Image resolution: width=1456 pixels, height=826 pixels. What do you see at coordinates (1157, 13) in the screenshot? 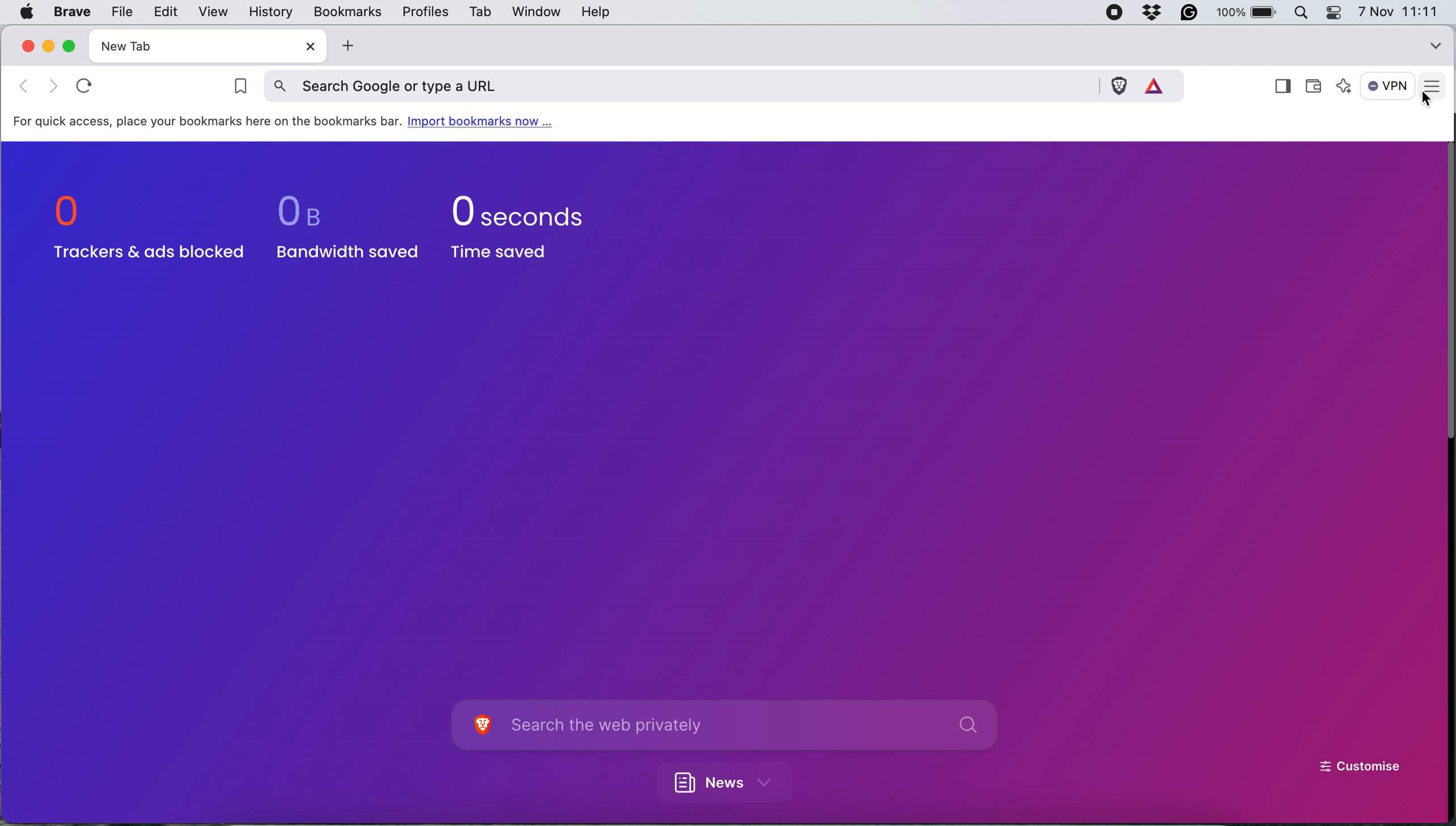
I see `dropbox` at bounding box center [1157, 13].